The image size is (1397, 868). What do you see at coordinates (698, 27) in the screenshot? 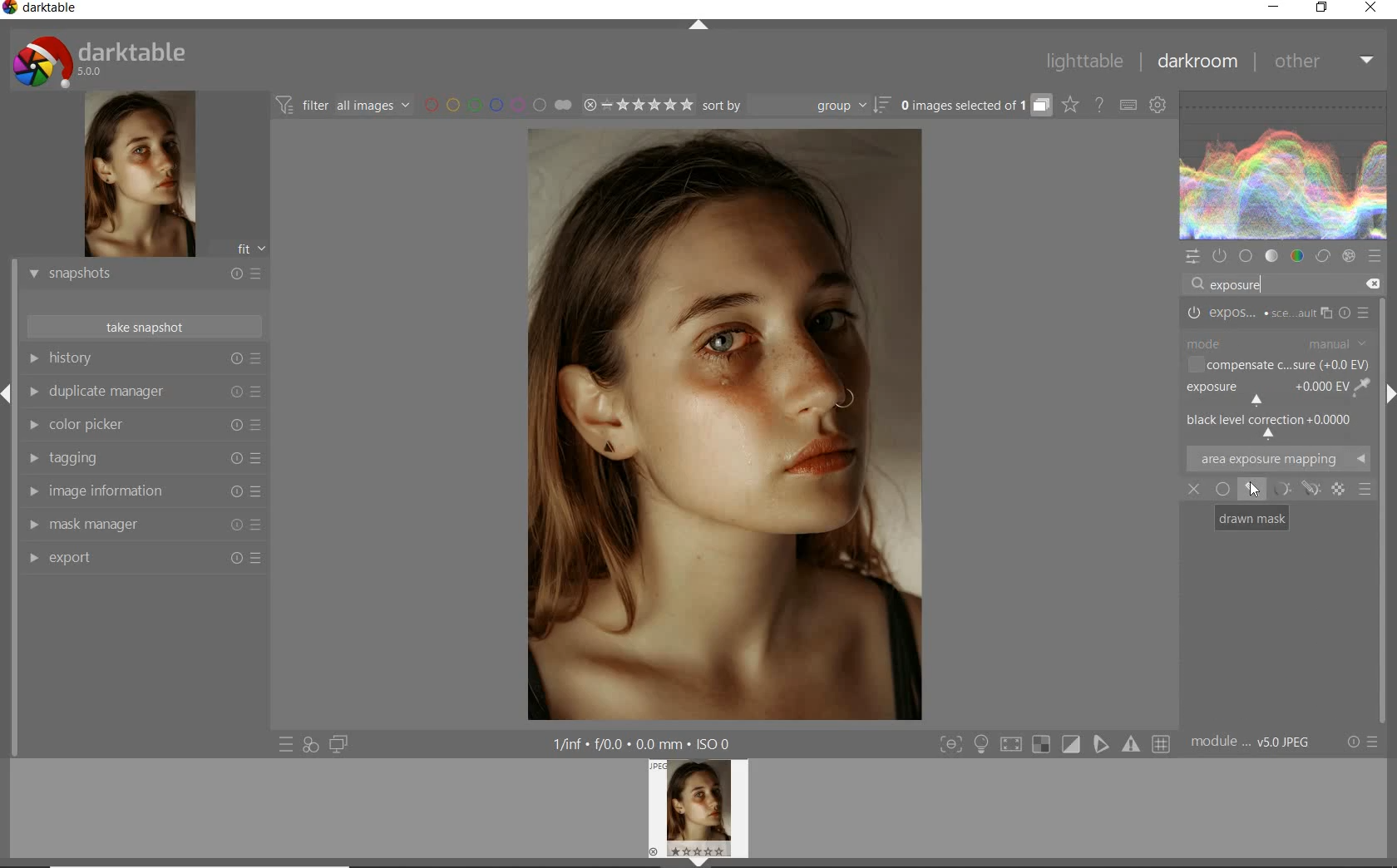
I see `expand/collapse` at bounding box center [698, 27].